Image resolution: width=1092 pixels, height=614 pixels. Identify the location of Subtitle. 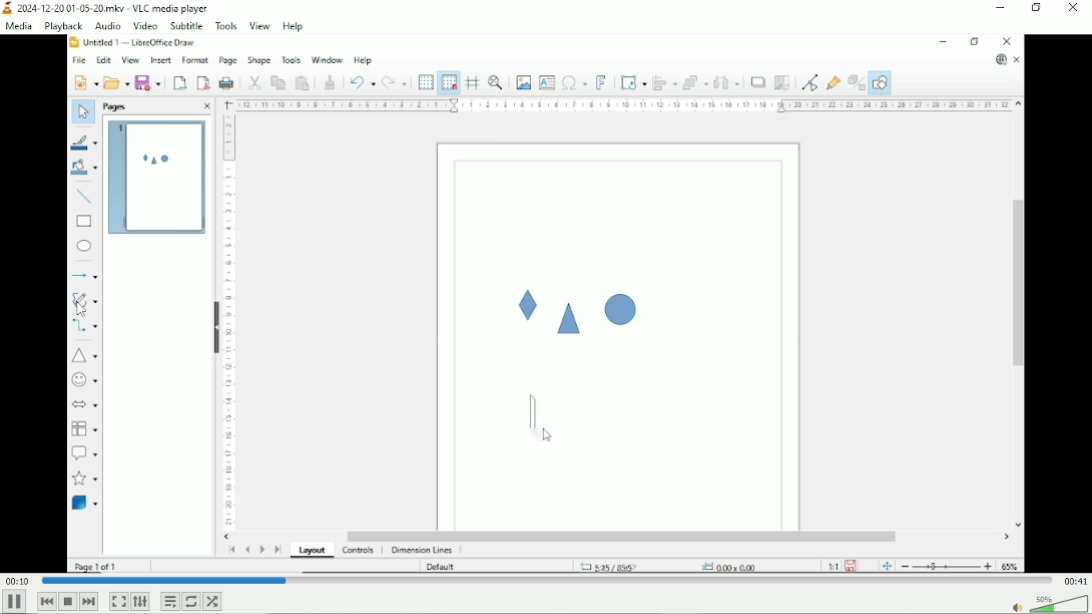
(186, 25).